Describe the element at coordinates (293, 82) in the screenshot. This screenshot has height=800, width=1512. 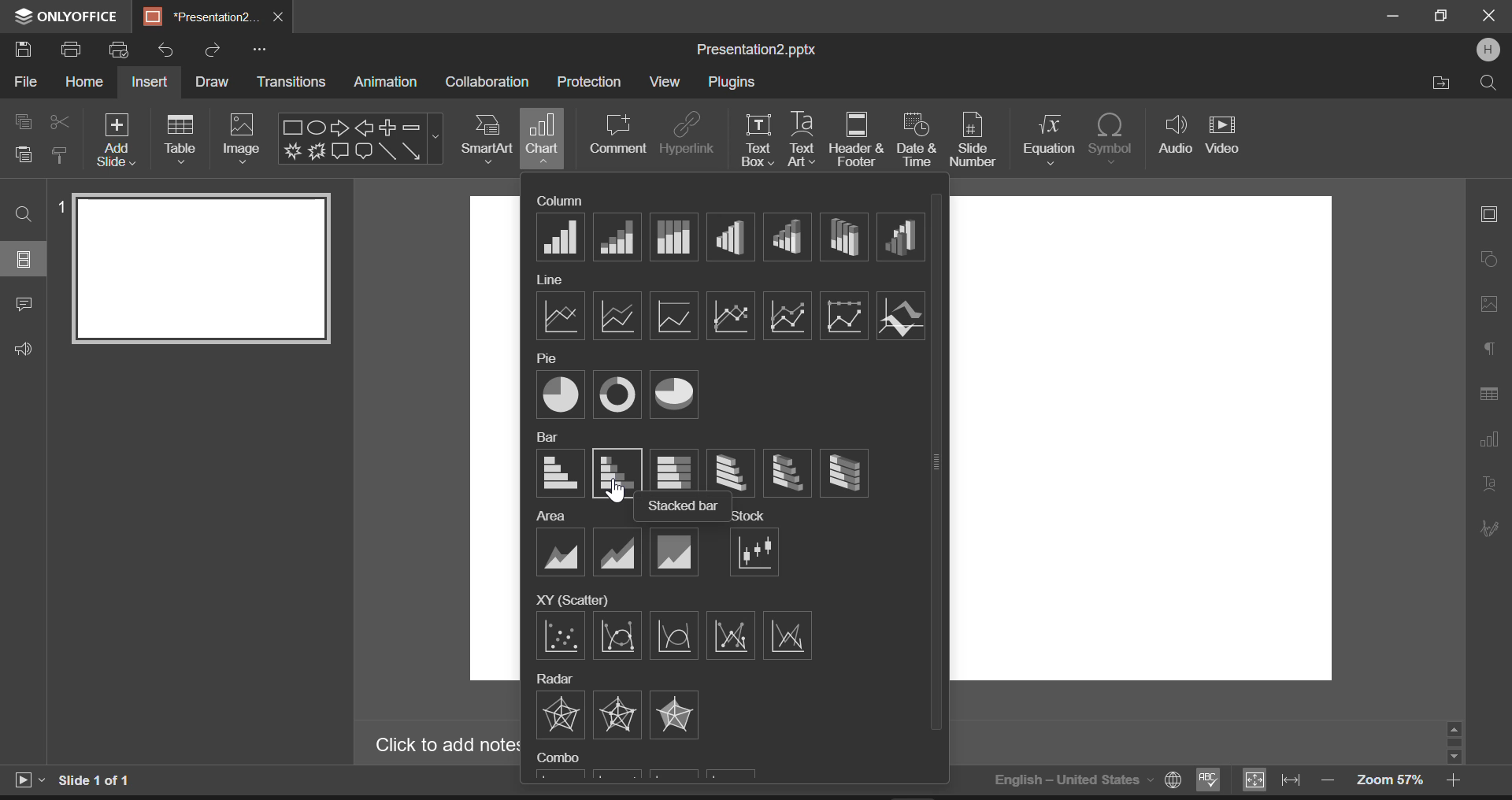
I see `Transitions` at that location.